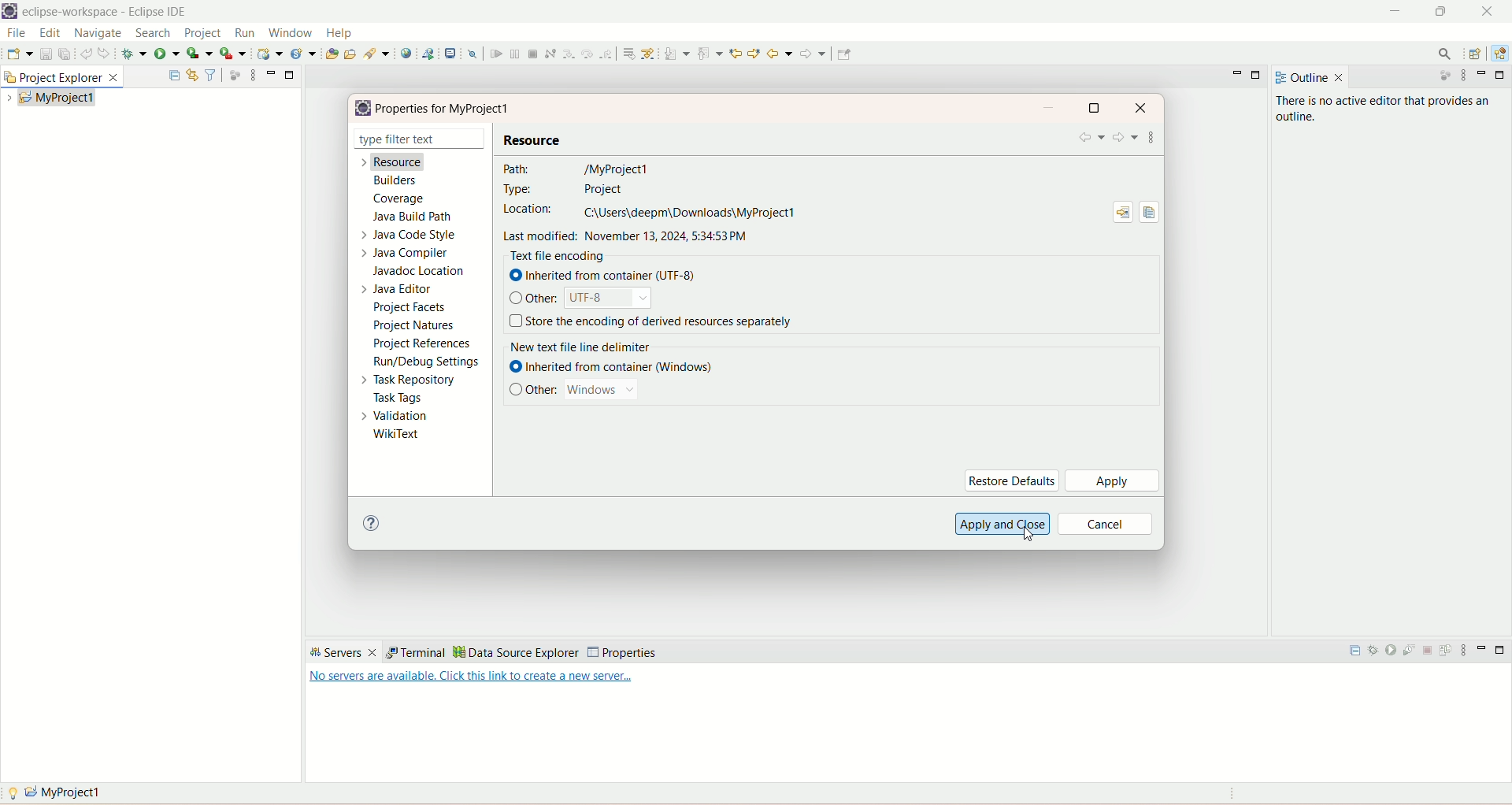 This screenshot has width=1512, height=805. I want to click on view menu, so click(251, 75).